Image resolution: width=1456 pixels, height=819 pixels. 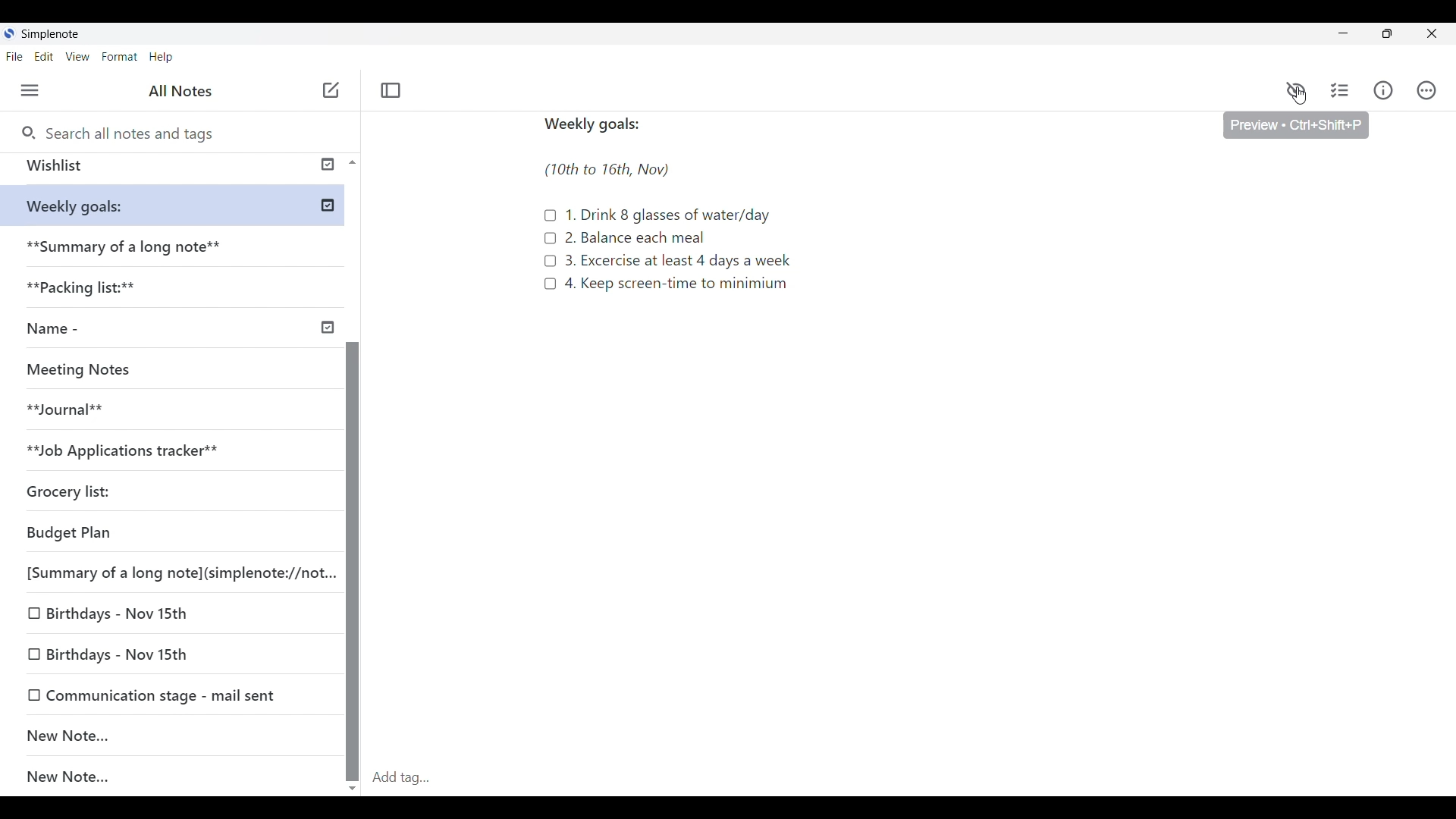 I want to click on 2. Balance each meal, so click(x=634, y=240).